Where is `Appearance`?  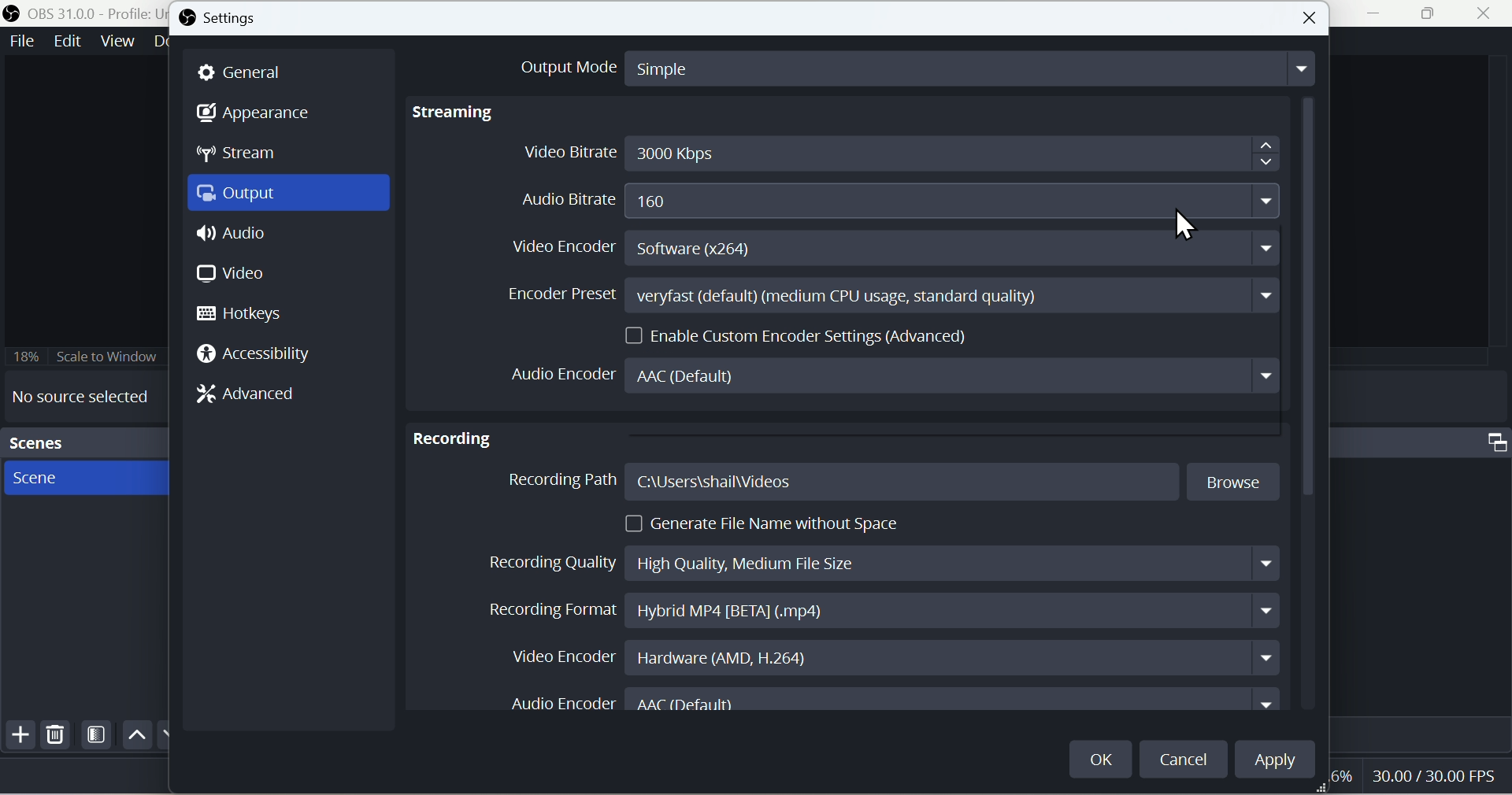 Appearance is located at coordinates (265, 115).